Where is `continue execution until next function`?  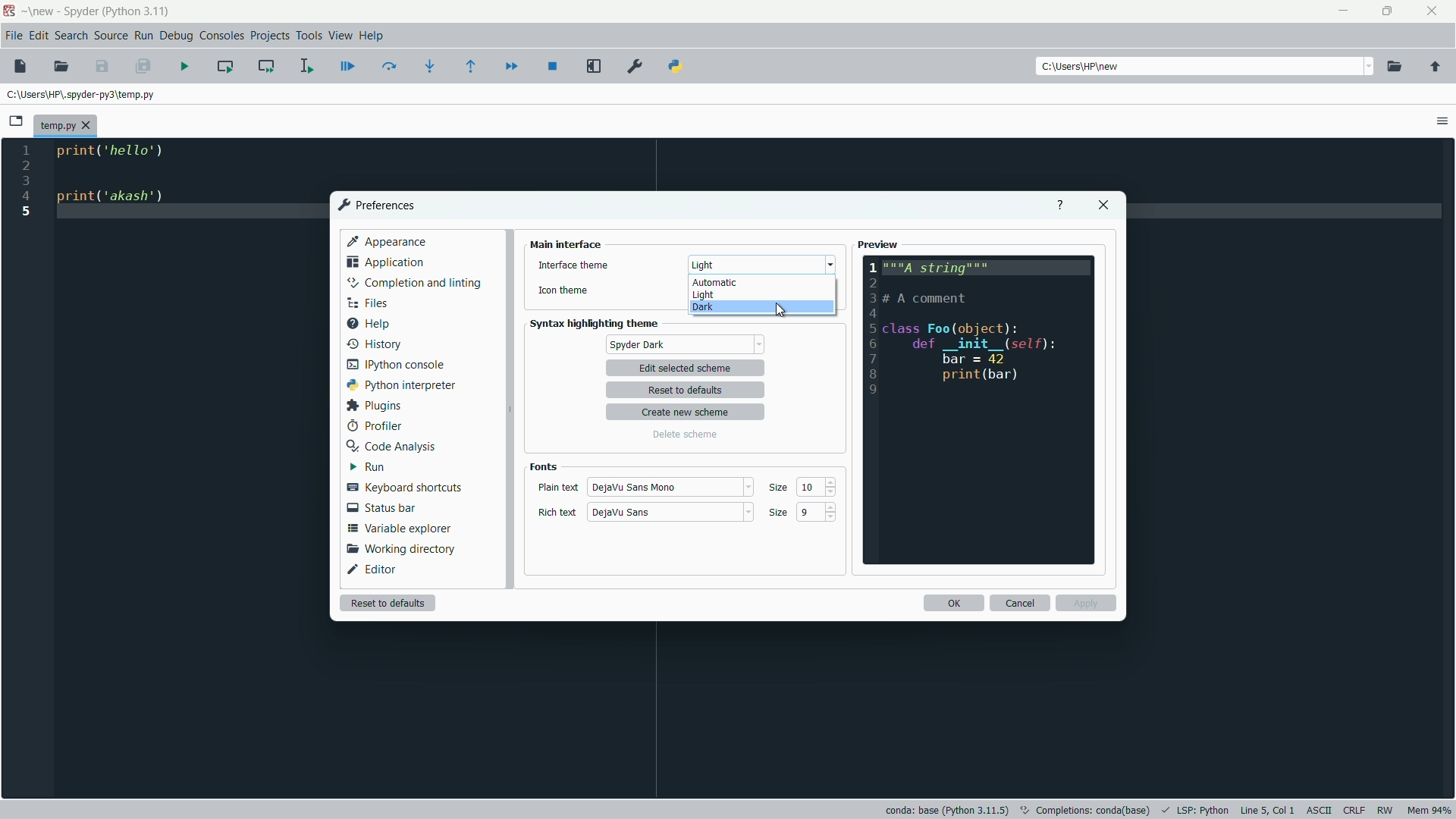
continue execution until next function is located at coordinates (474, 66).